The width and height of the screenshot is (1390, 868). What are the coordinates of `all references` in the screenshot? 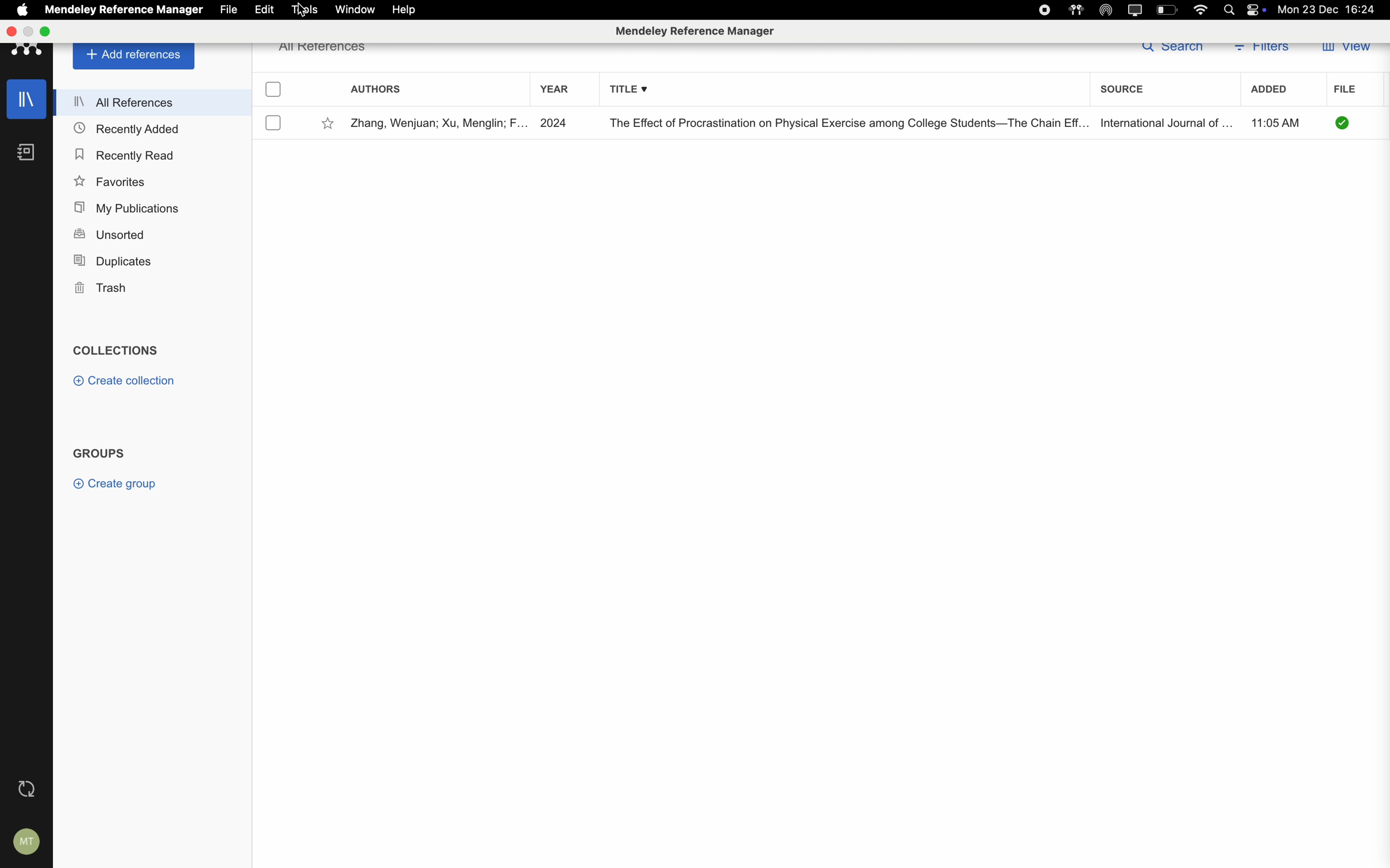 It's located at (325, 48).